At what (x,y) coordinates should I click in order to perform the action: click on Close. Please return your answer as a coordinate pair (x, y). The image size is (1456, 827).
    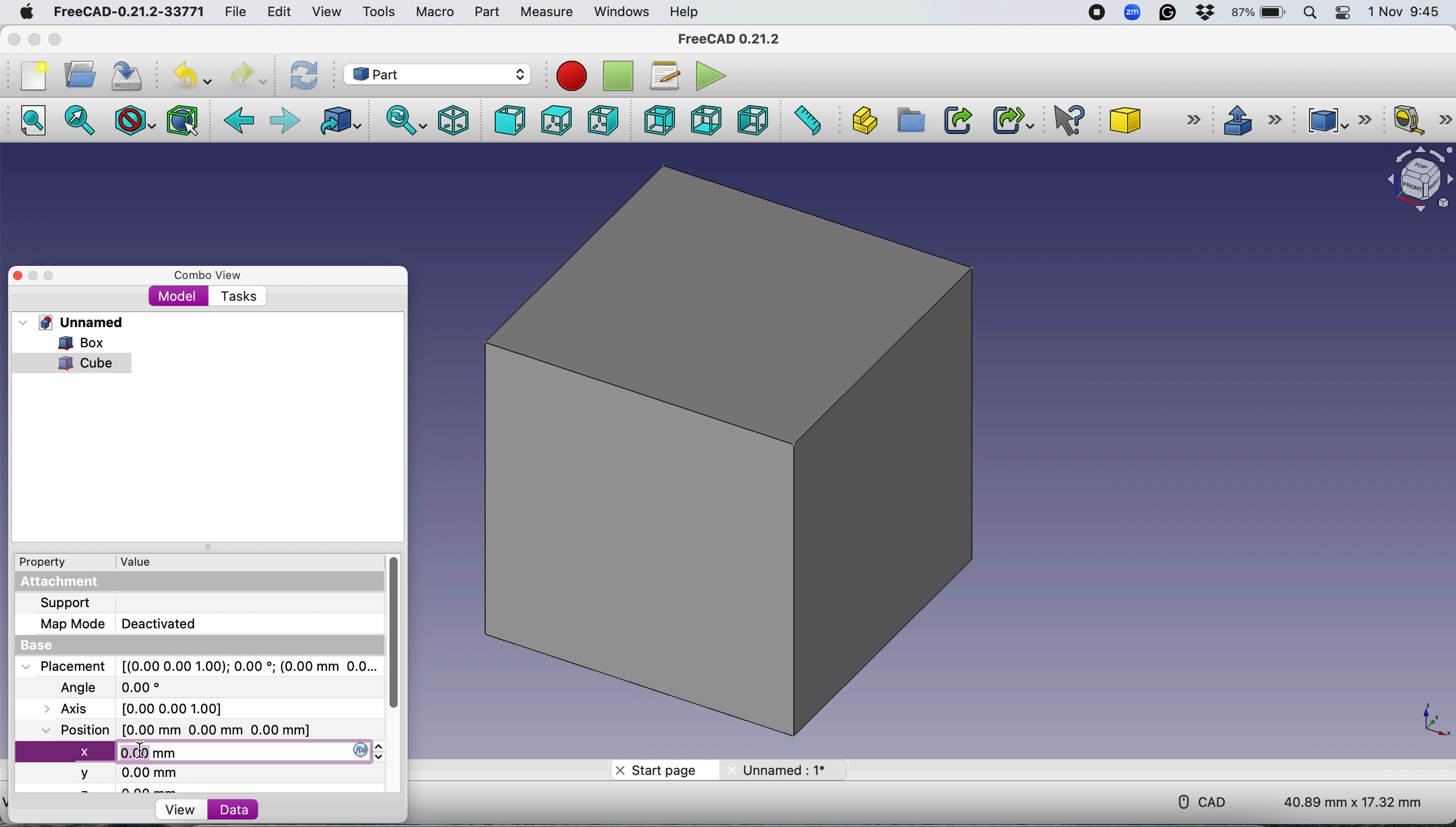
    Looking at the image, I should click on (18, 276).